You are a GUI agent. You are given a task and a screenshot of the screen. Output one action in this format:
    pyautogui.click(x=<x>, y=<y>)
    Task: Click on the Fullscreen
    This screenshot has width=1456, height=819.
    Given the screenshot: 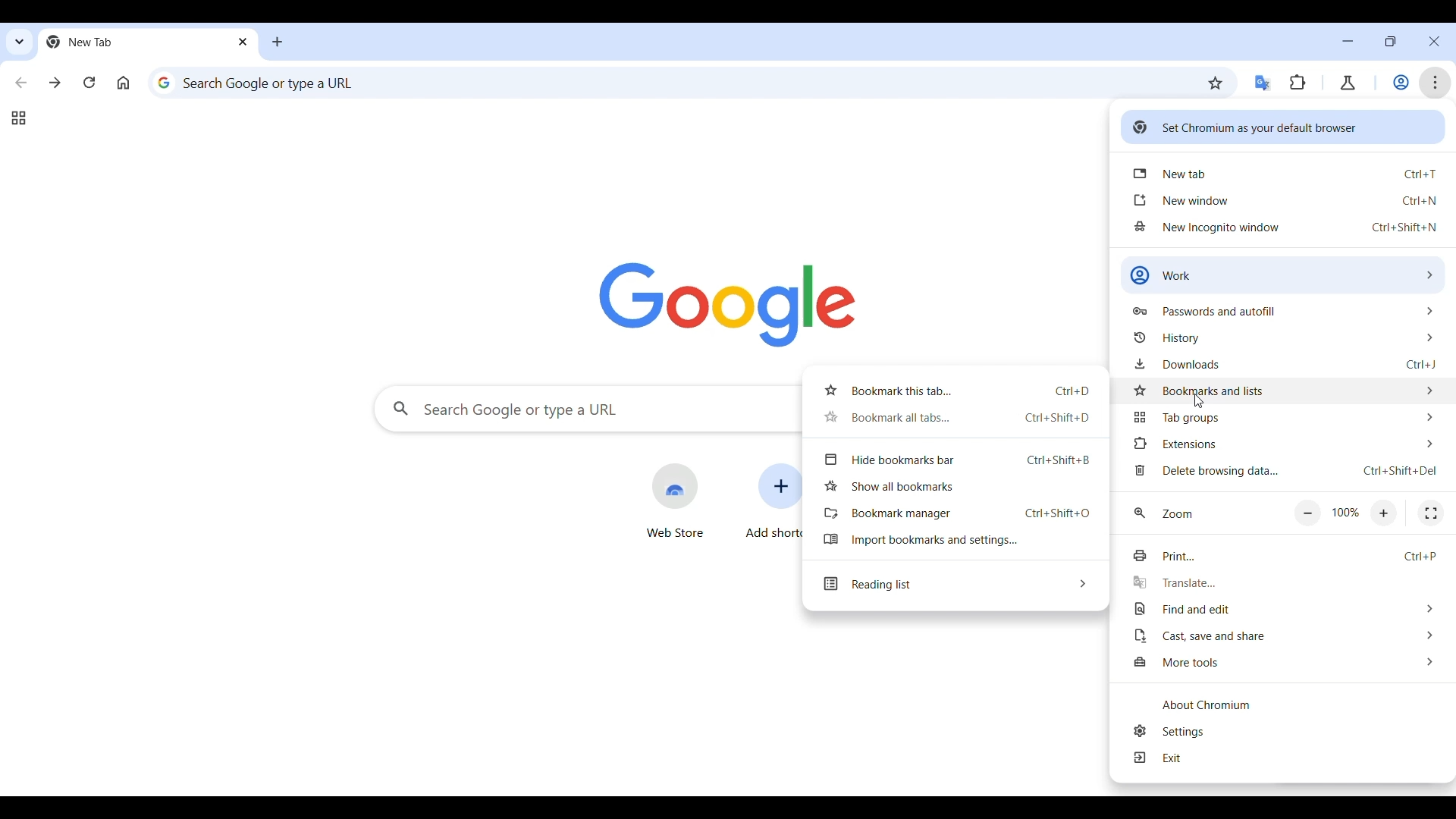 What is the action you would take?
    pyautogui.click(x=1431, y=513)
    